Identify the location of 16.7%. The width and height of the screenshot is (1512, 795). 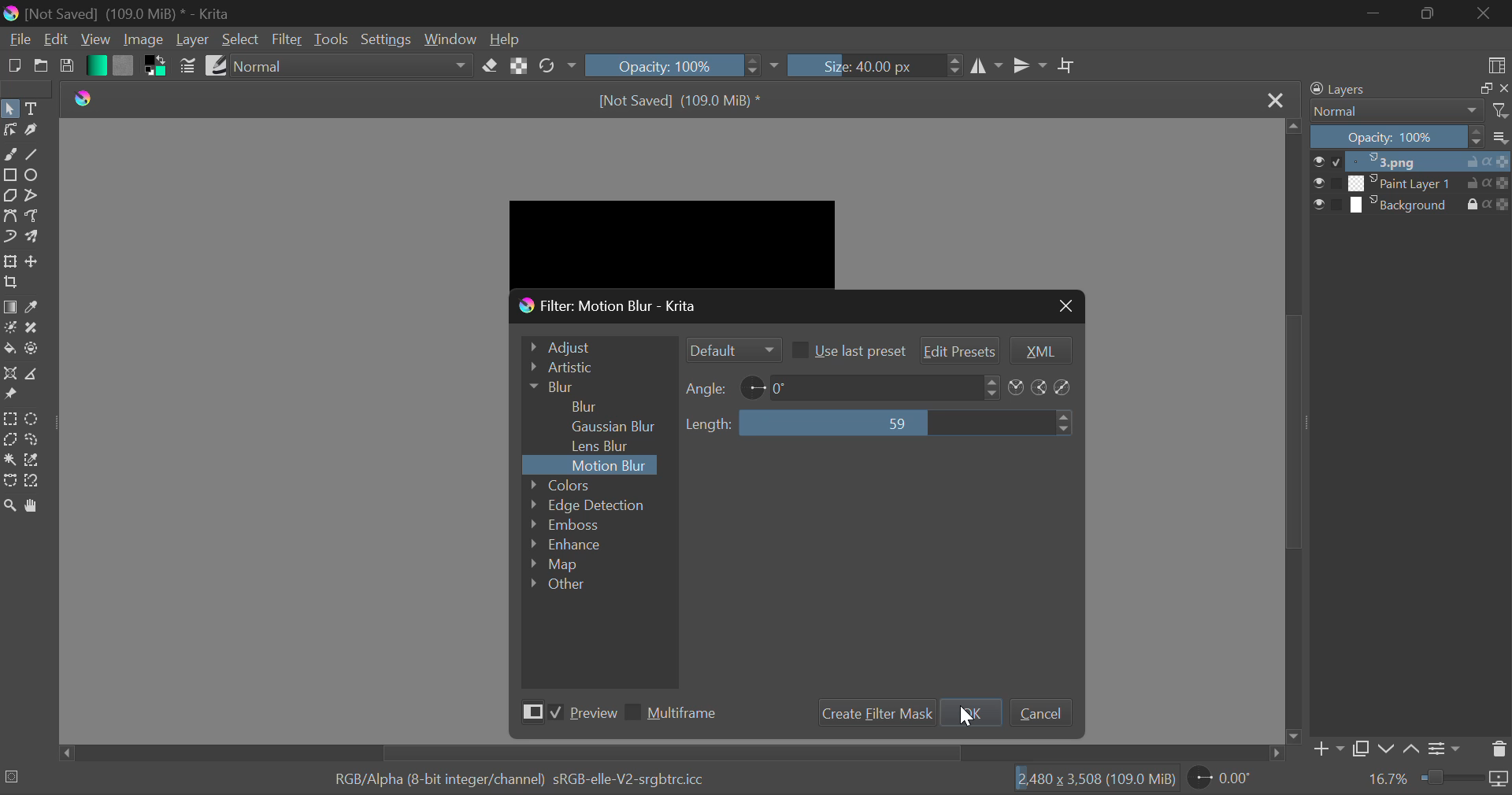
(1388, 779).